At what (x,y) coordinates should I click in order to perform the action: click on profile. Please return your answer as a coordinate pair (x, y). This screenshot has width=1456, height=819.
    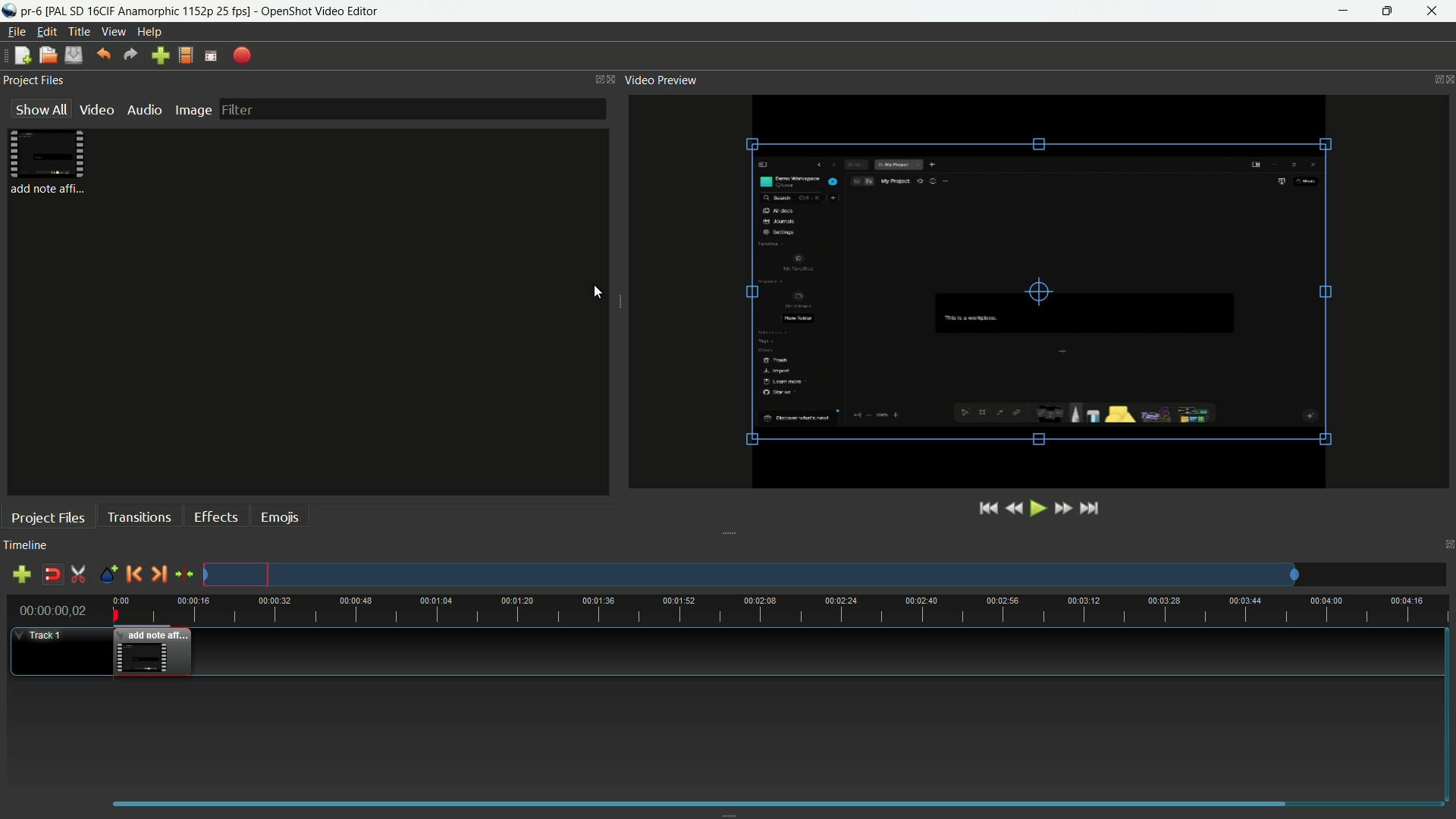
    Looking at the image, I should click on (184, 55).